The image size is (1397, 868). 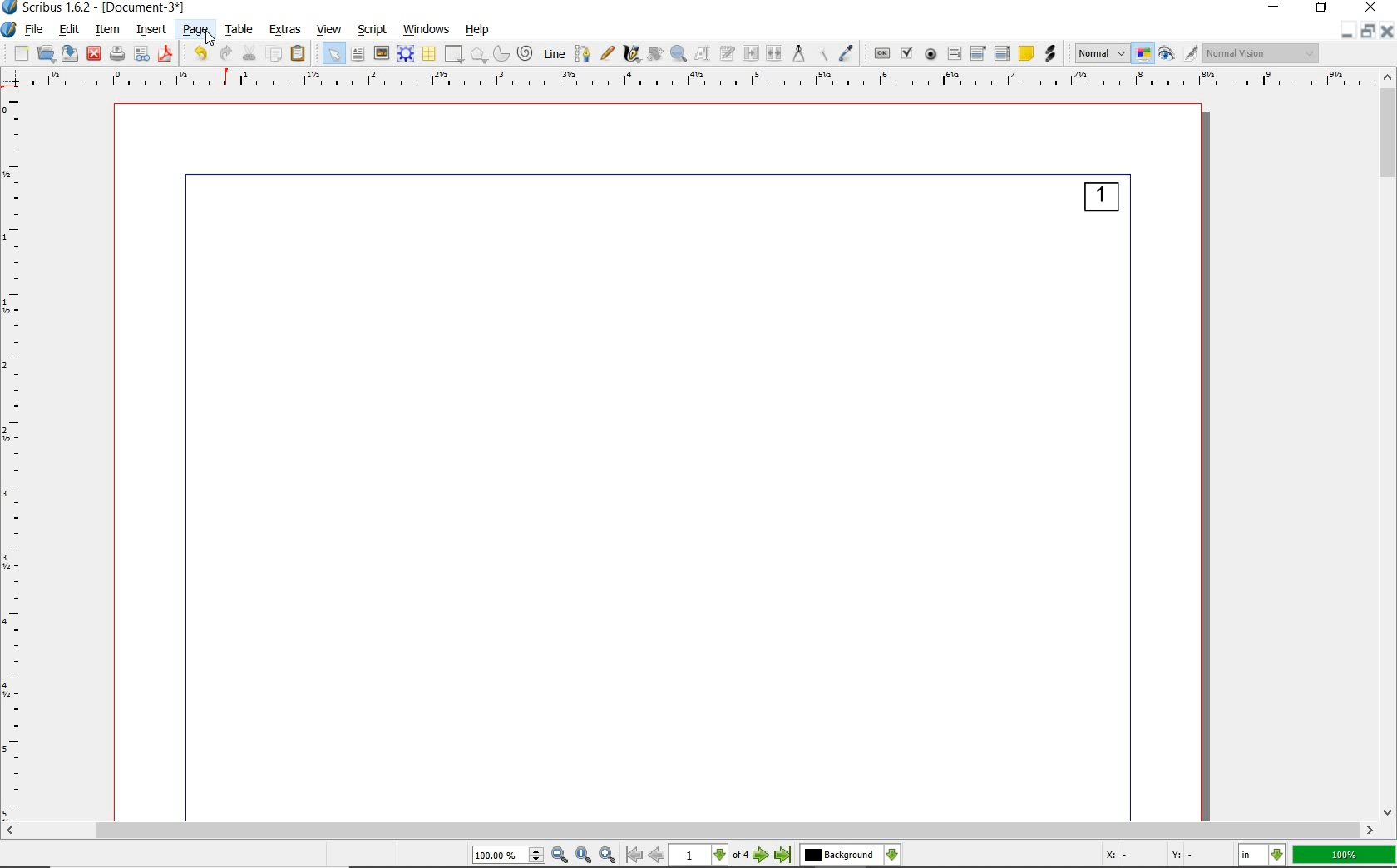 What do you see at coordinates (510, 856) in the screenshot?
I see `select current zoom level` at bounding box center [510, 856].